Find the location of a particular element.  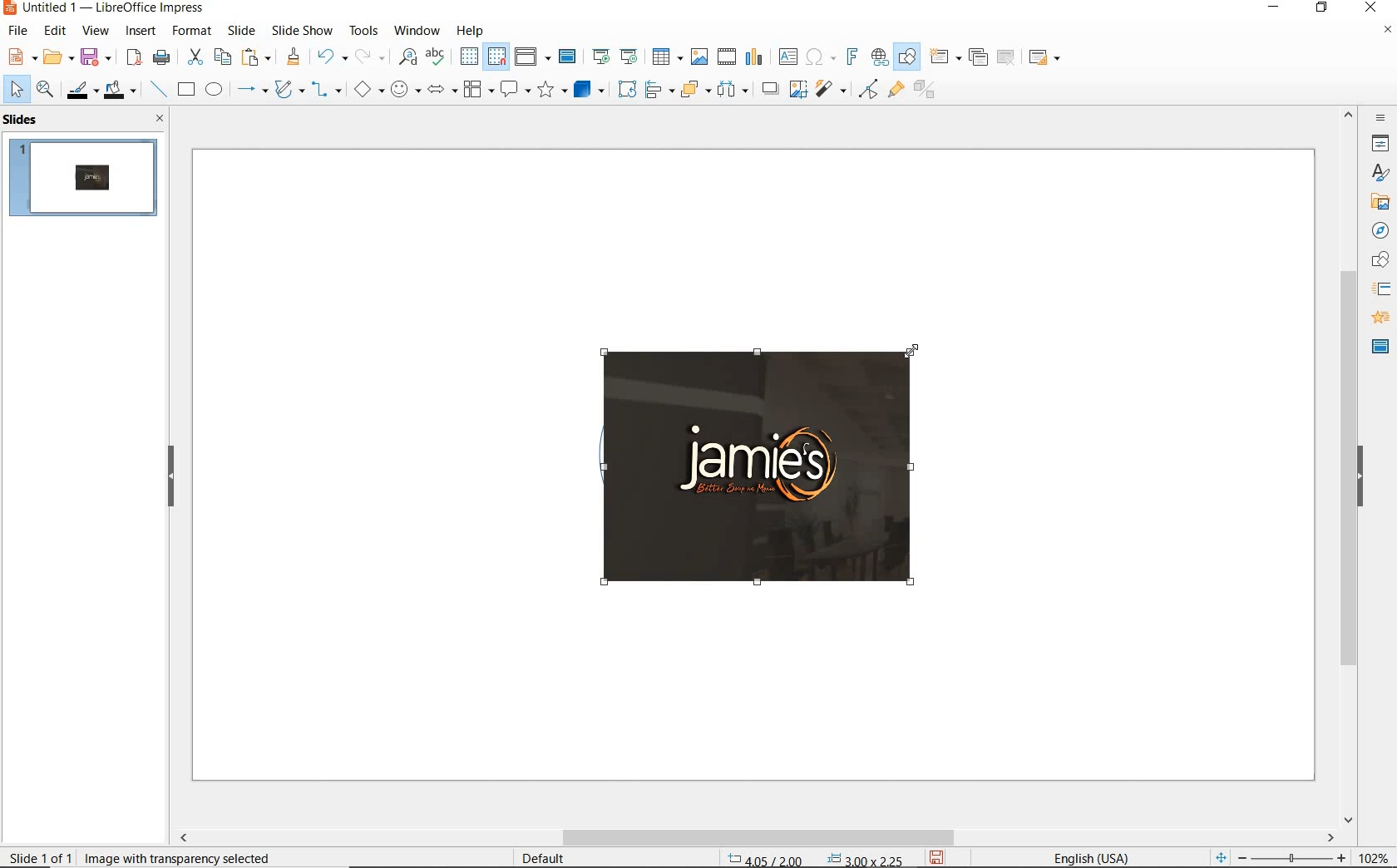

ellipse is located at coordinates (214, 91).